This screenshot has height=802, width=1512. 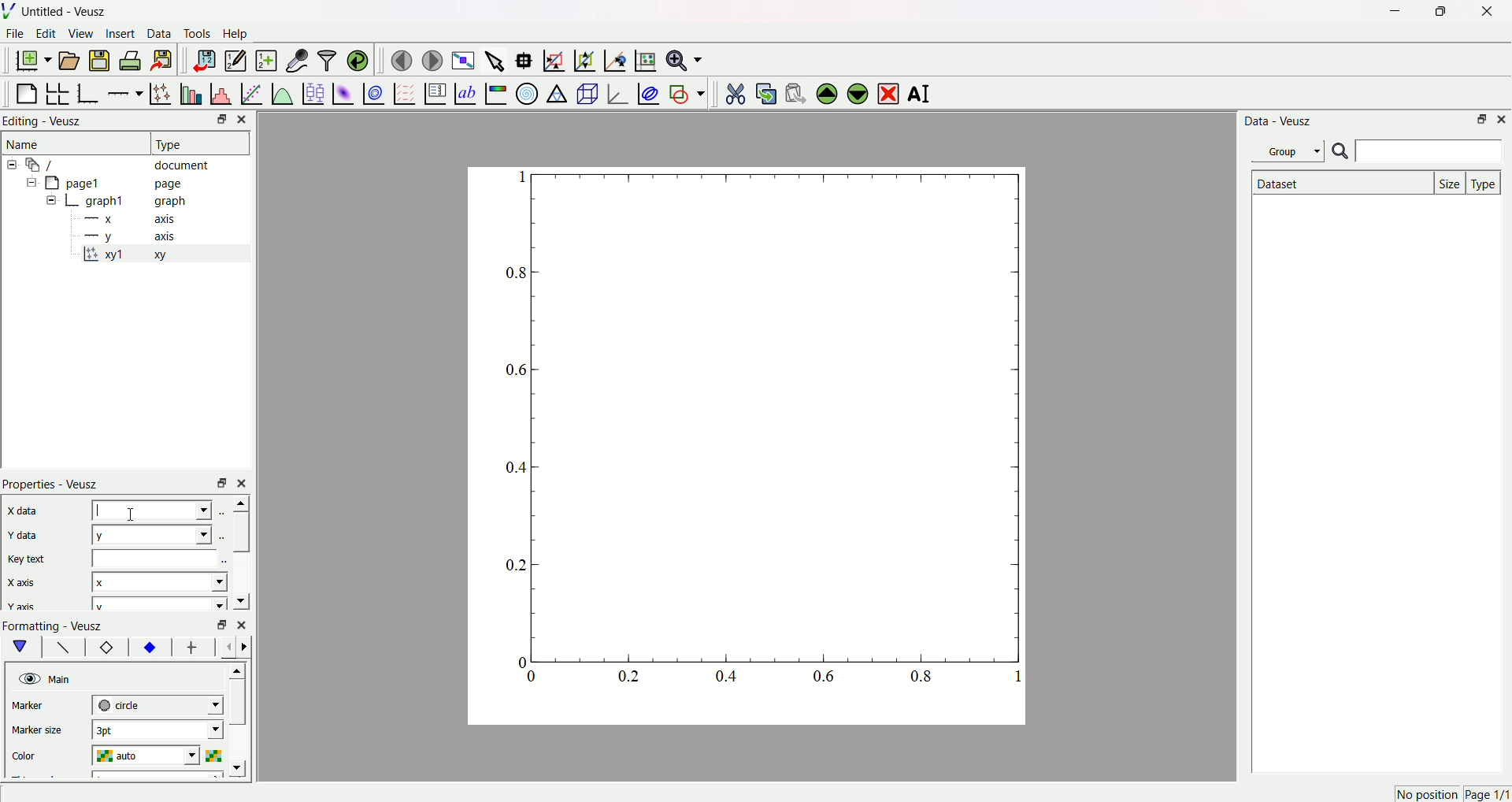 I want to click on Tools, so click(x=198, y=35).